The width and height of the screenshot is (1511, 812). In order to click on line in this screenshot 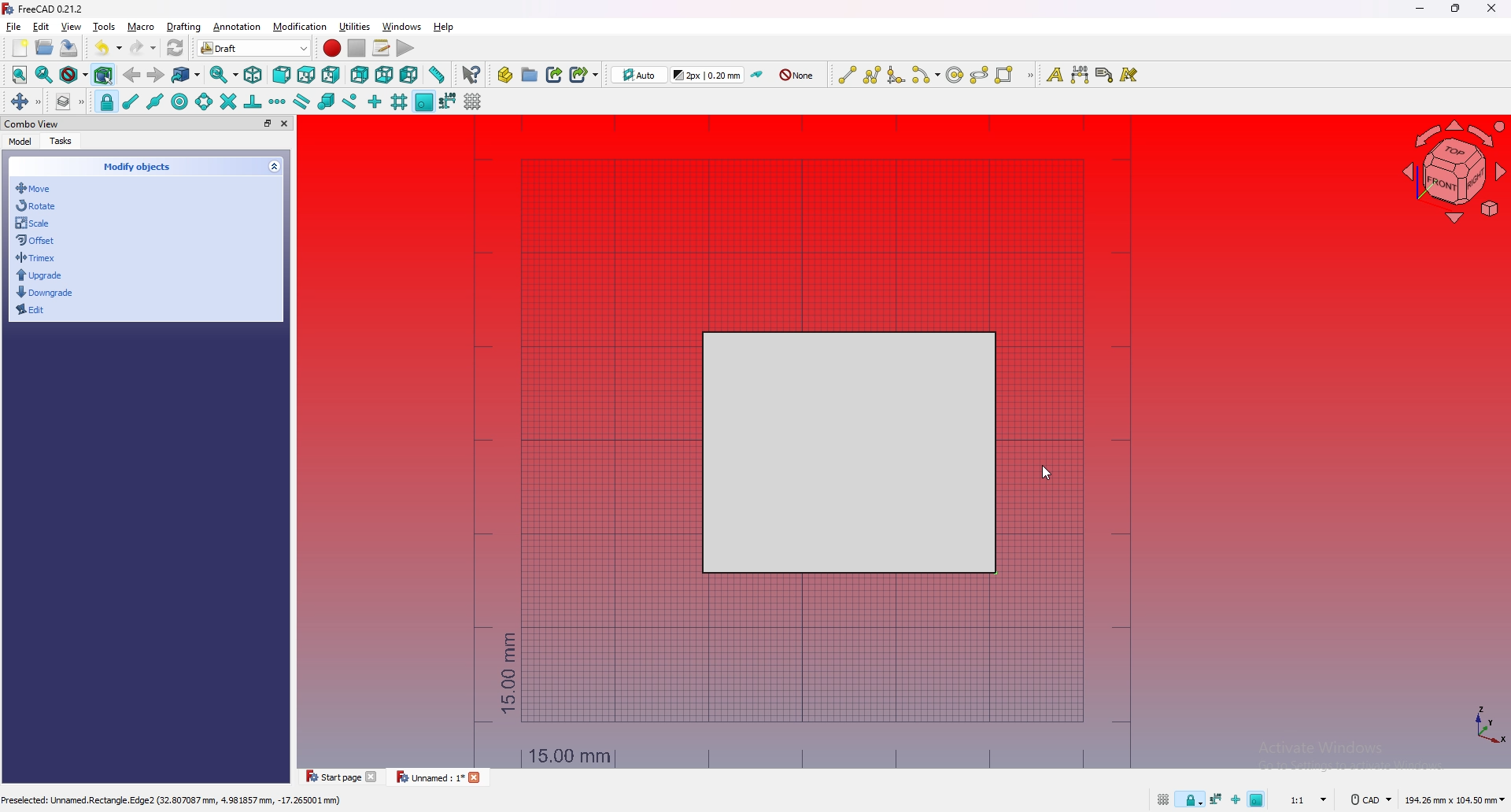, I will do `click(847, 75)`.